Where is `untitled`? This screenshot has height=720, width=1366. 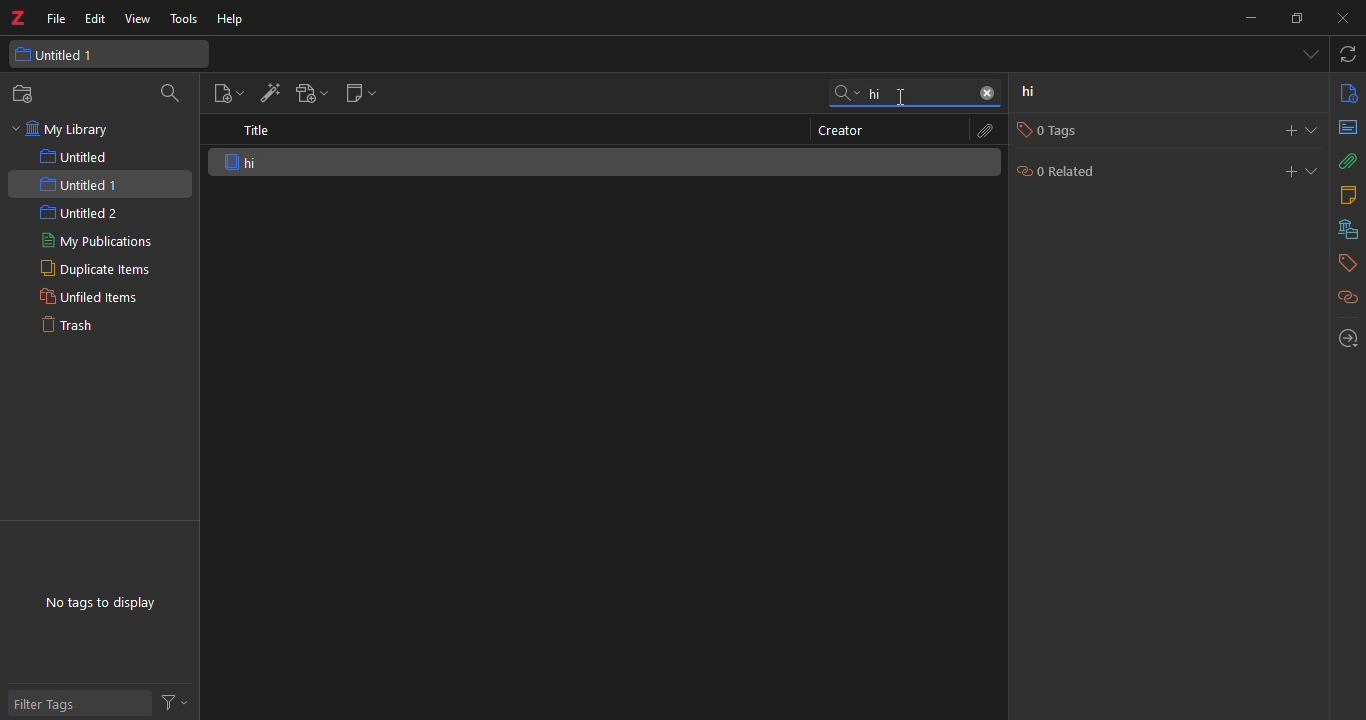 untitled is located at coordinates (78, 157).